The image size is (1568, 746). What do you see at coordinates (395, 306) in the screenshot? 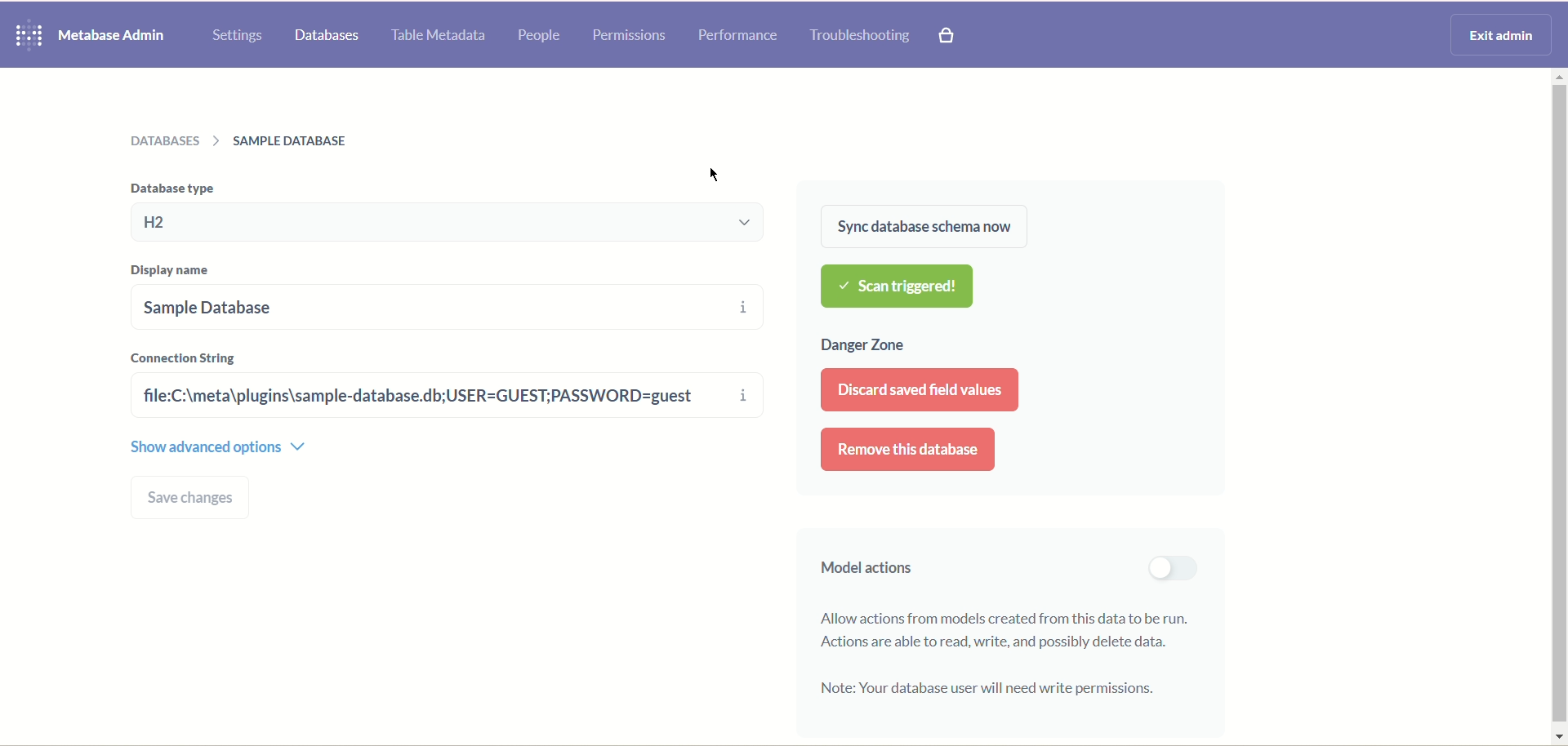
I see `sample database` at bounding box center [395, 306].